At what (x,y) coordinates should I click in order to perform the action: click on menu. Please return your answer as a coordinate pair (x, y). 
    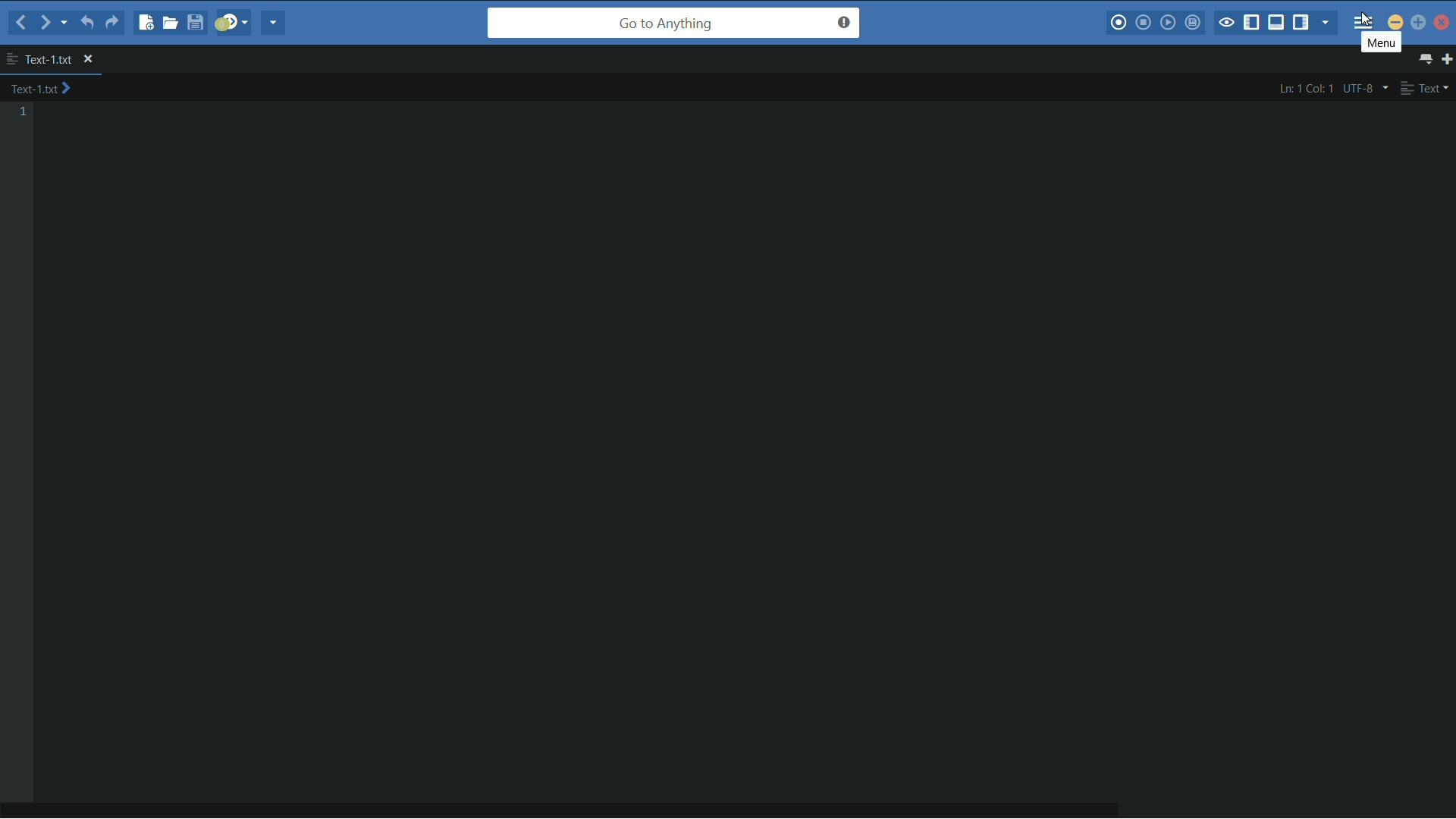
    Looking at the image, I should click on (1363, 18).